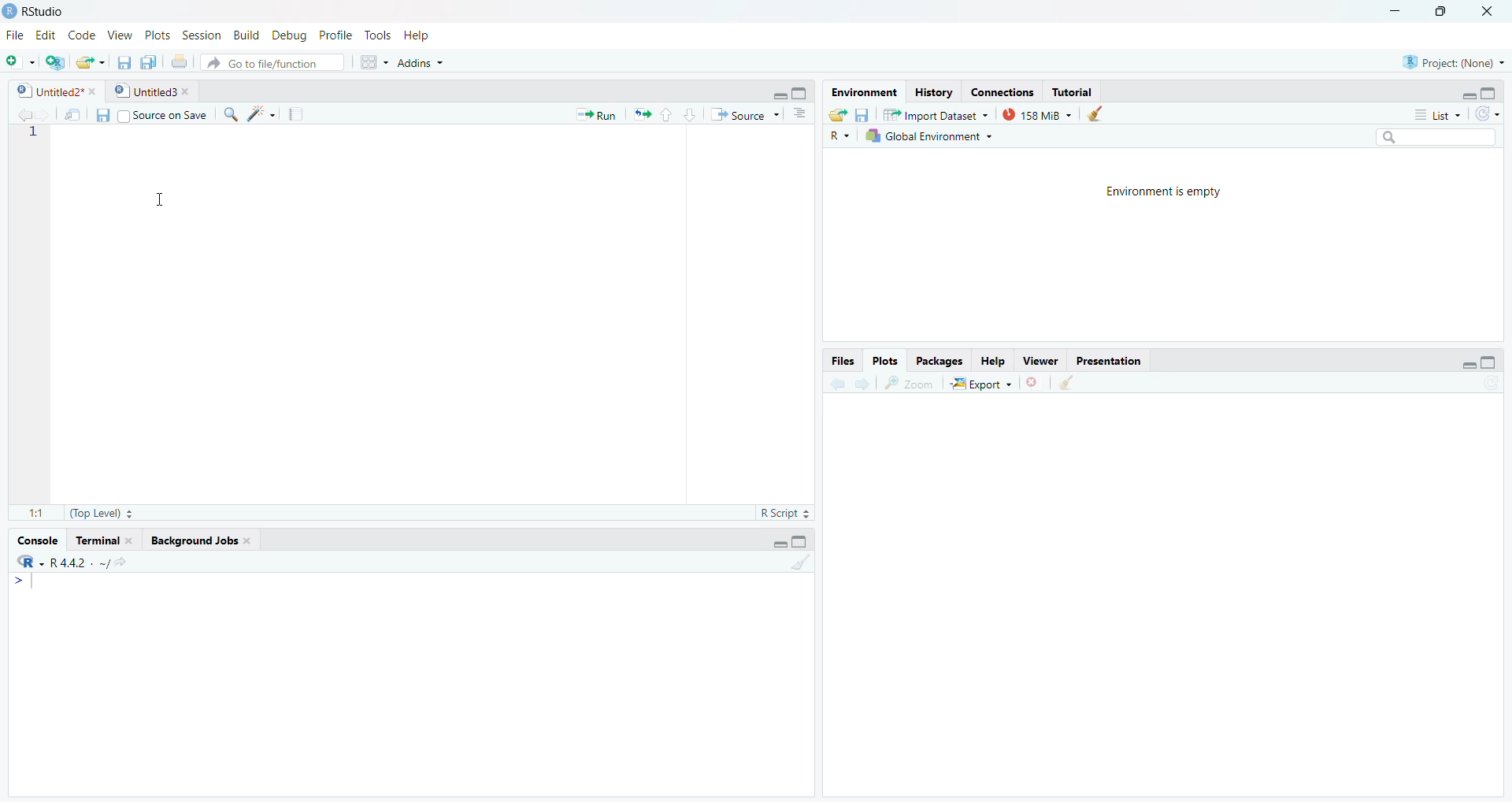 This screenshot has height=802, width=1512. I want to click on Profile, so click(337, 35).